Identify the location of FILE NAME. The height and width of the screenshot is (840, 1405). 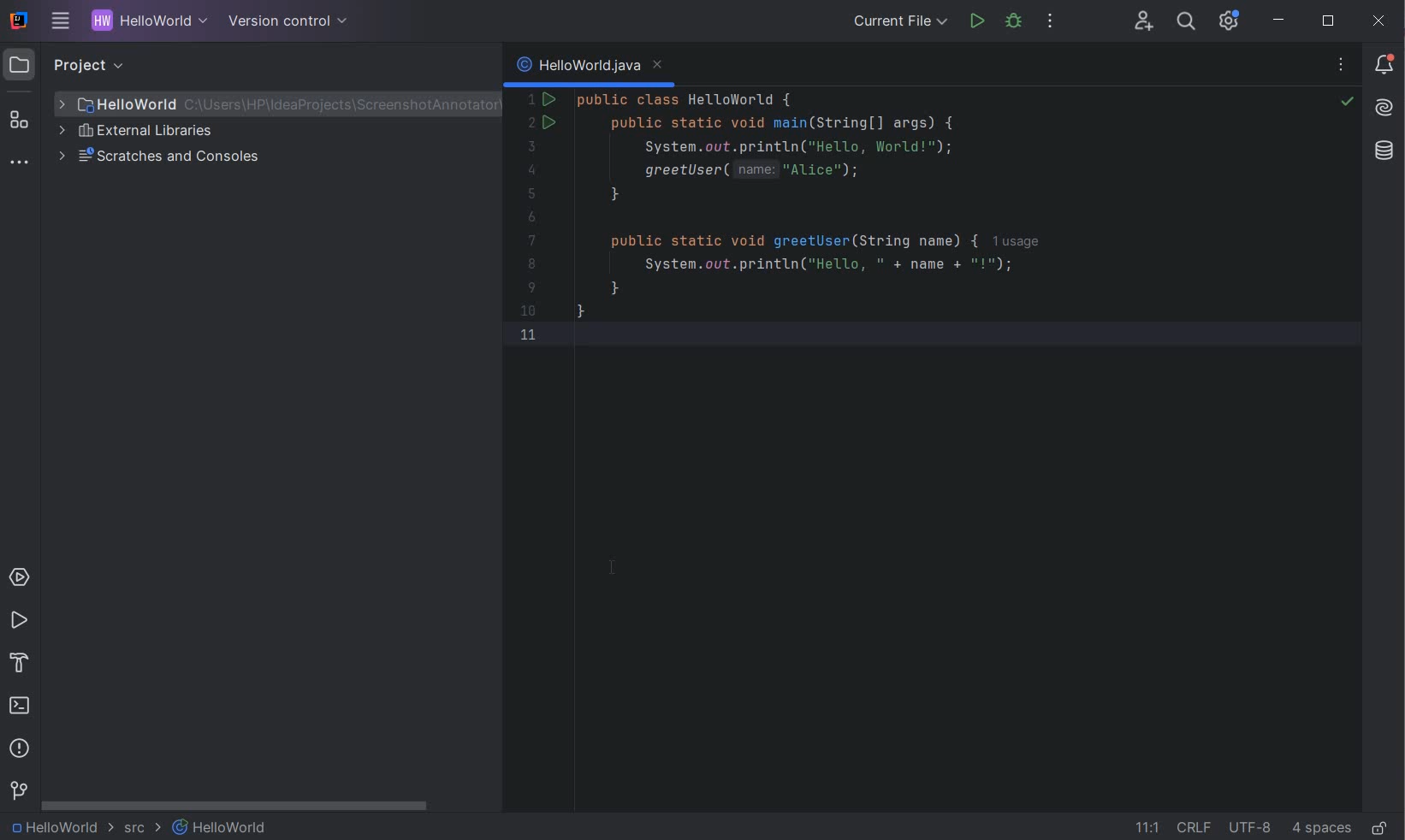
(270, 104).